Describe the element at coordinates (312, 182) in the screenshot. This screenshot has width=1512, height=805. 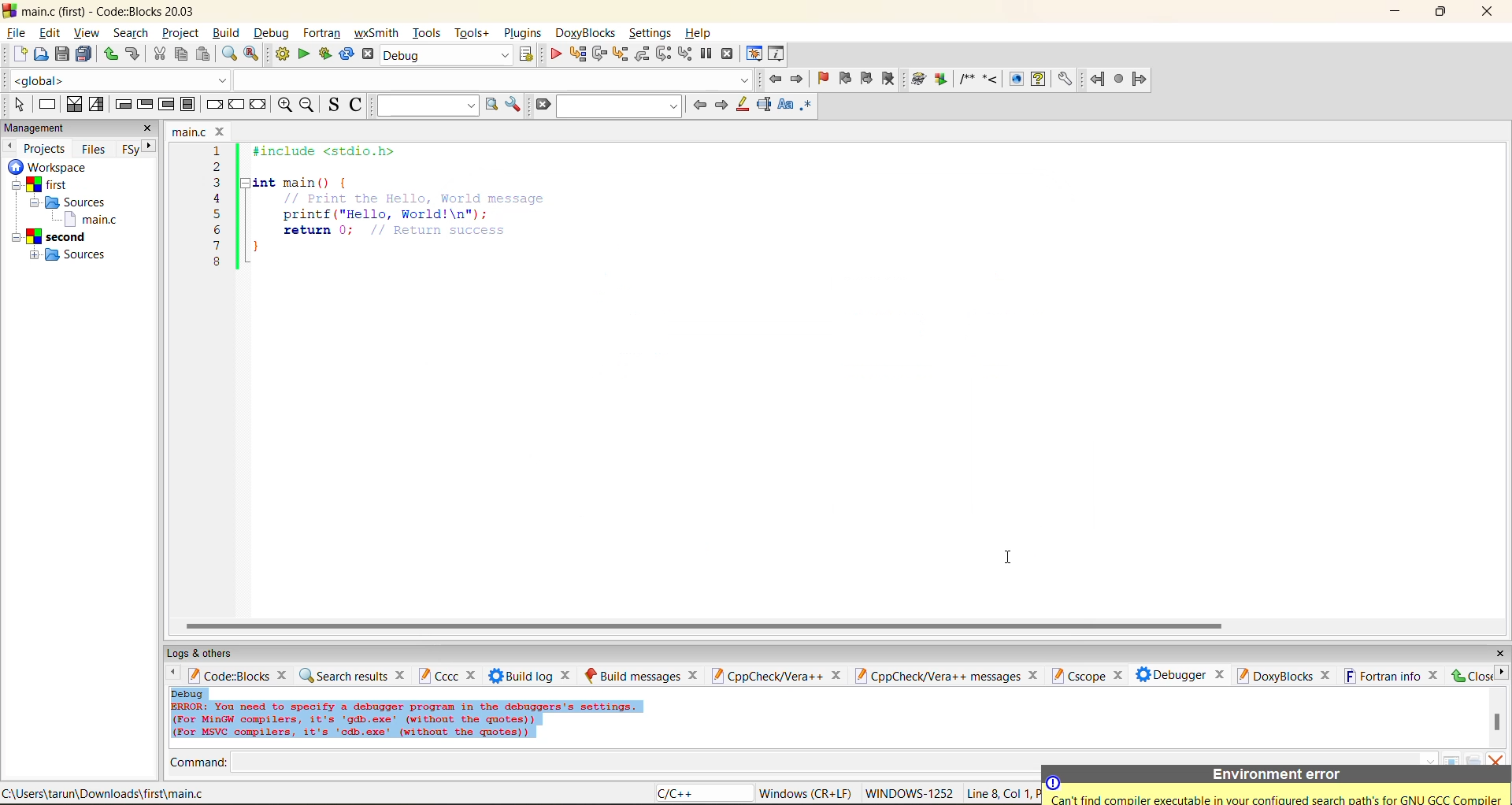
I see `int main(){` at that location.